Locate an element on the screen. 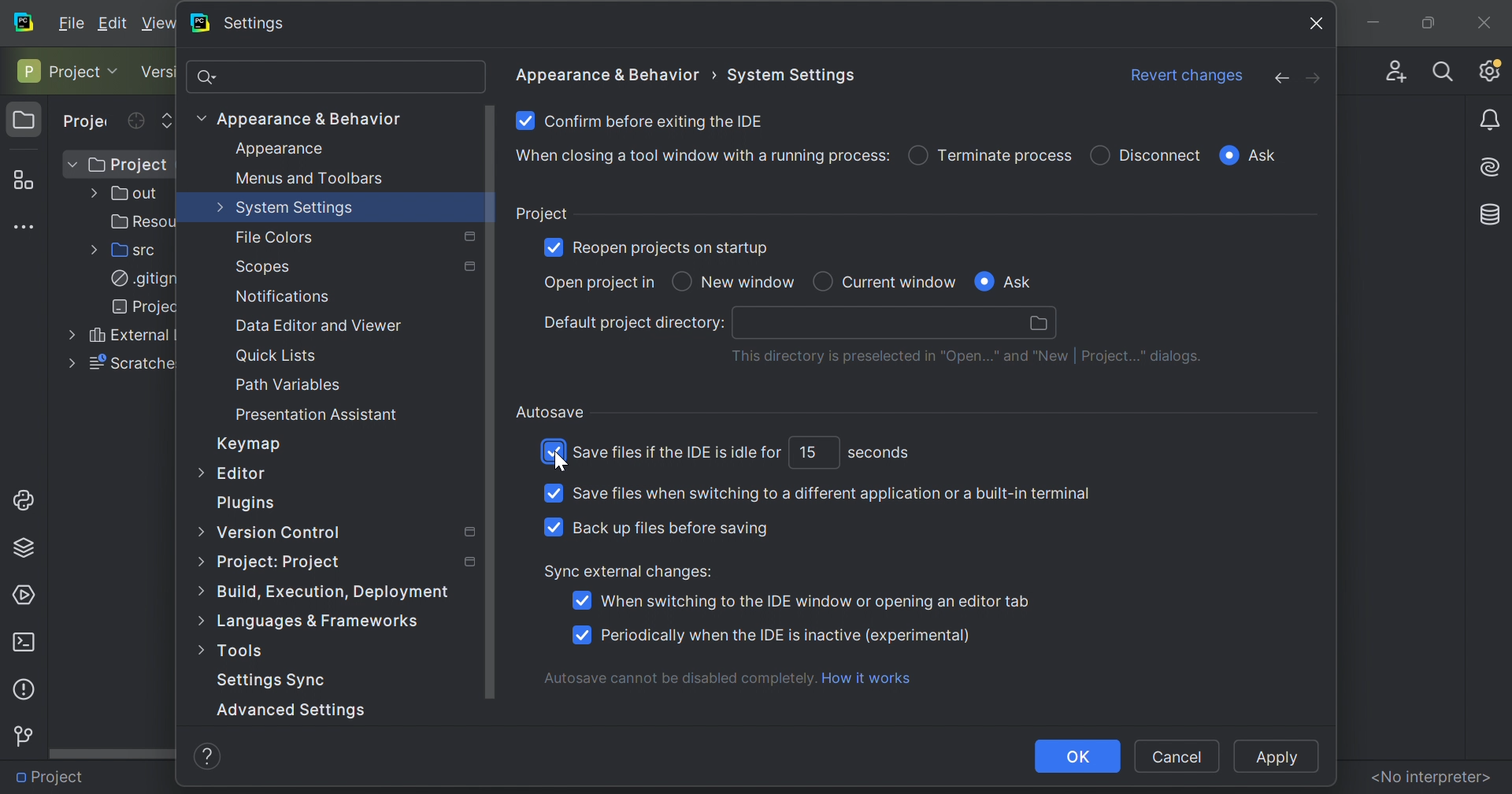  Python packages is located at coordinates (29, 546).